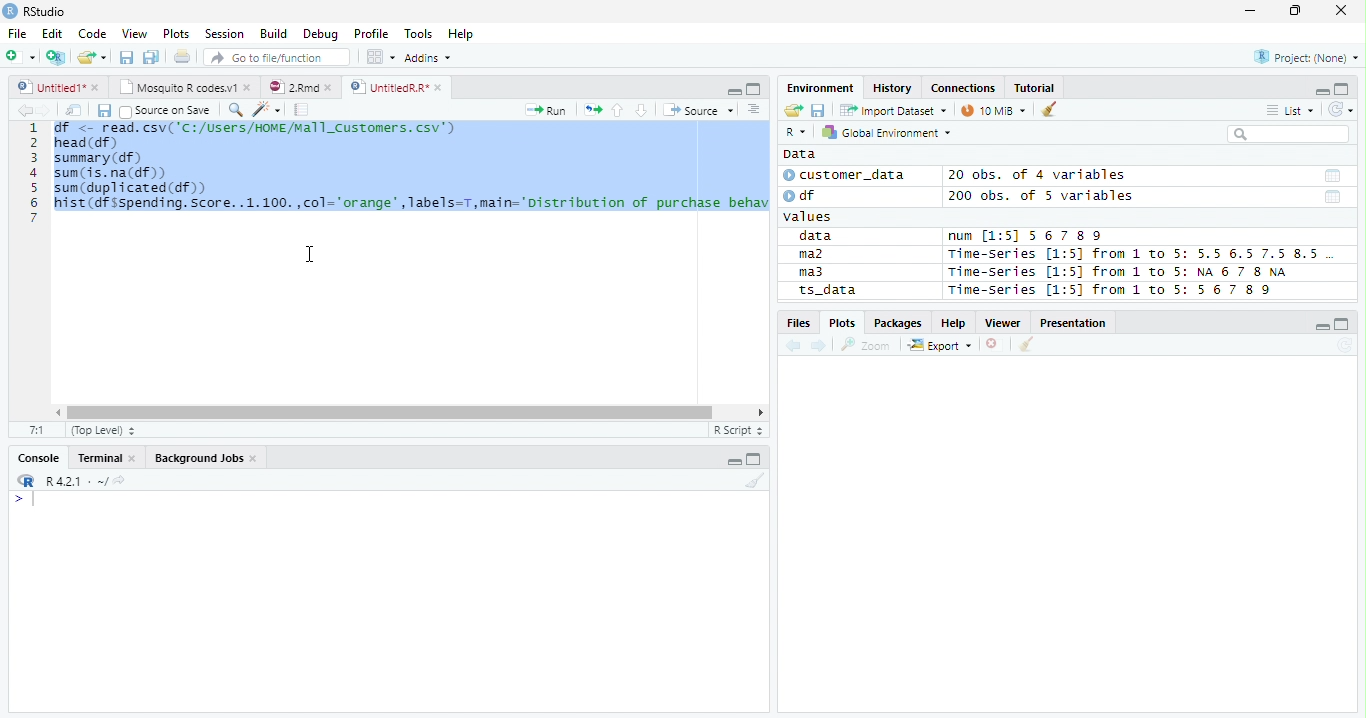 Image resolution: width=1366 pixels, height=718 pixels. What do you see at coordinates (1298, 11) in the screenshot?
I see `Restore Down` at bounding box center [1298, 11].